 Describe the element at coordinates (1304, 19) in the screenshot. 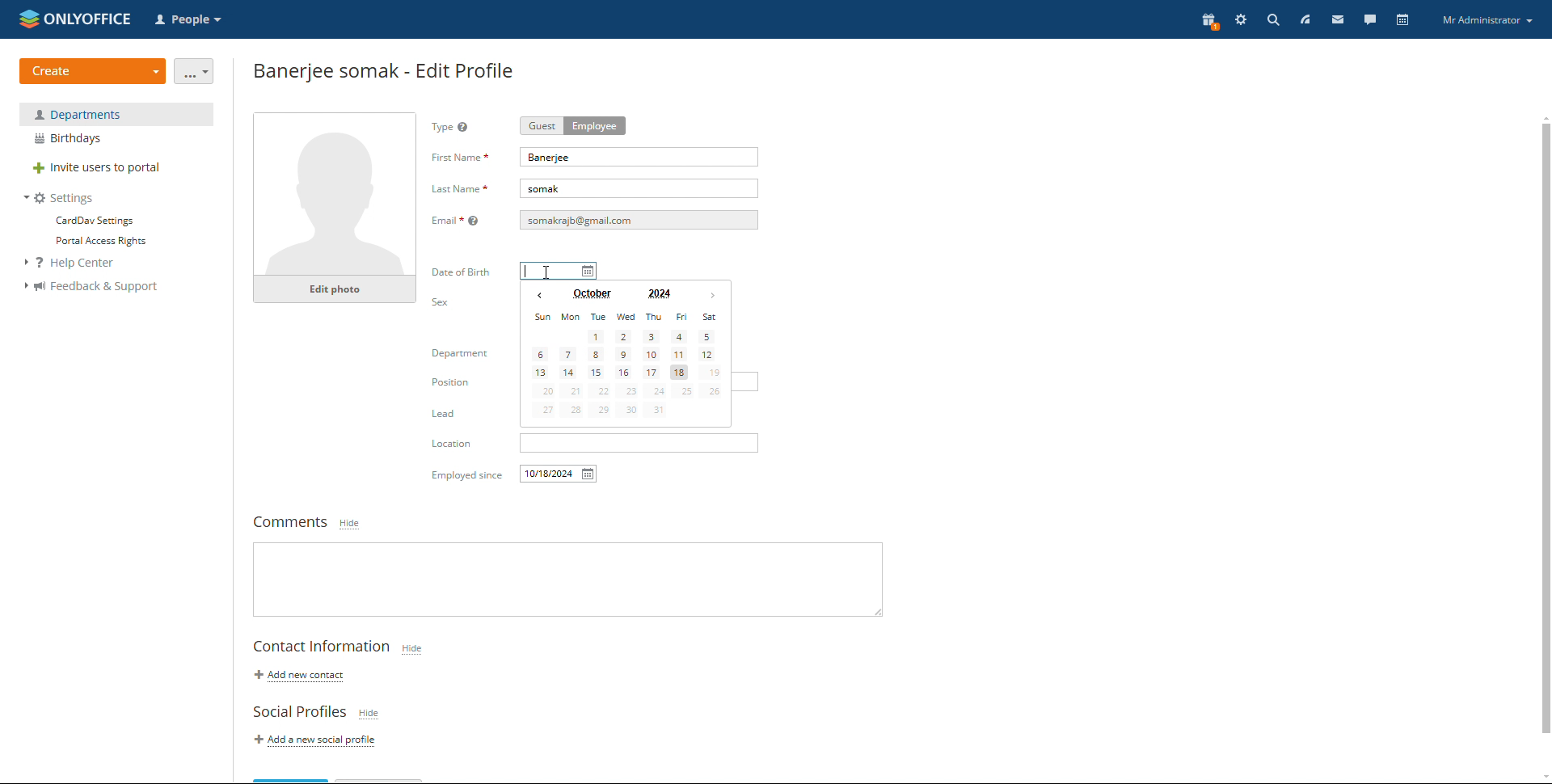

I see `feed` at that location.